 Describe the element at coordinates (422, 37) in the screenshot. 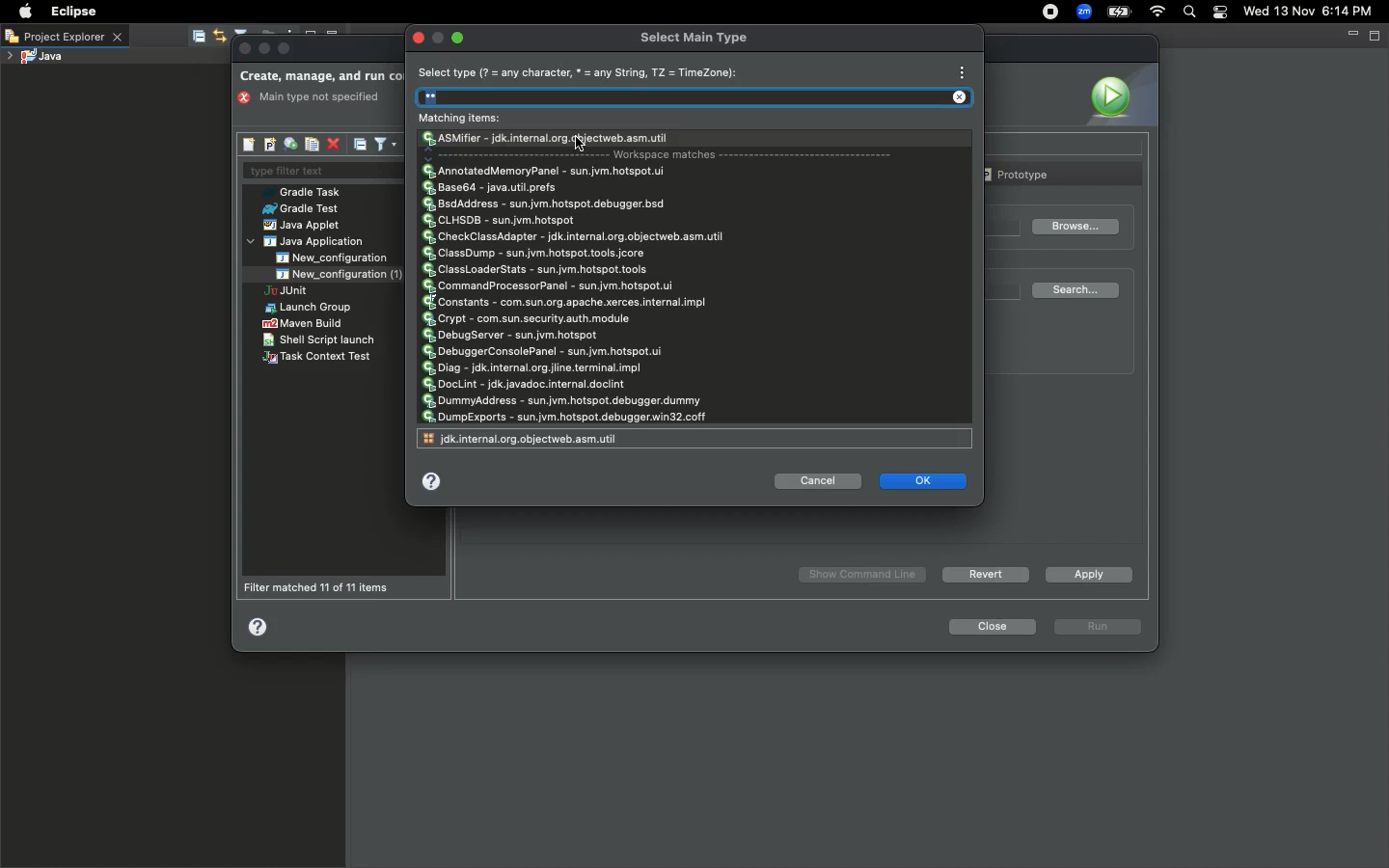

I see `Close` at that location.